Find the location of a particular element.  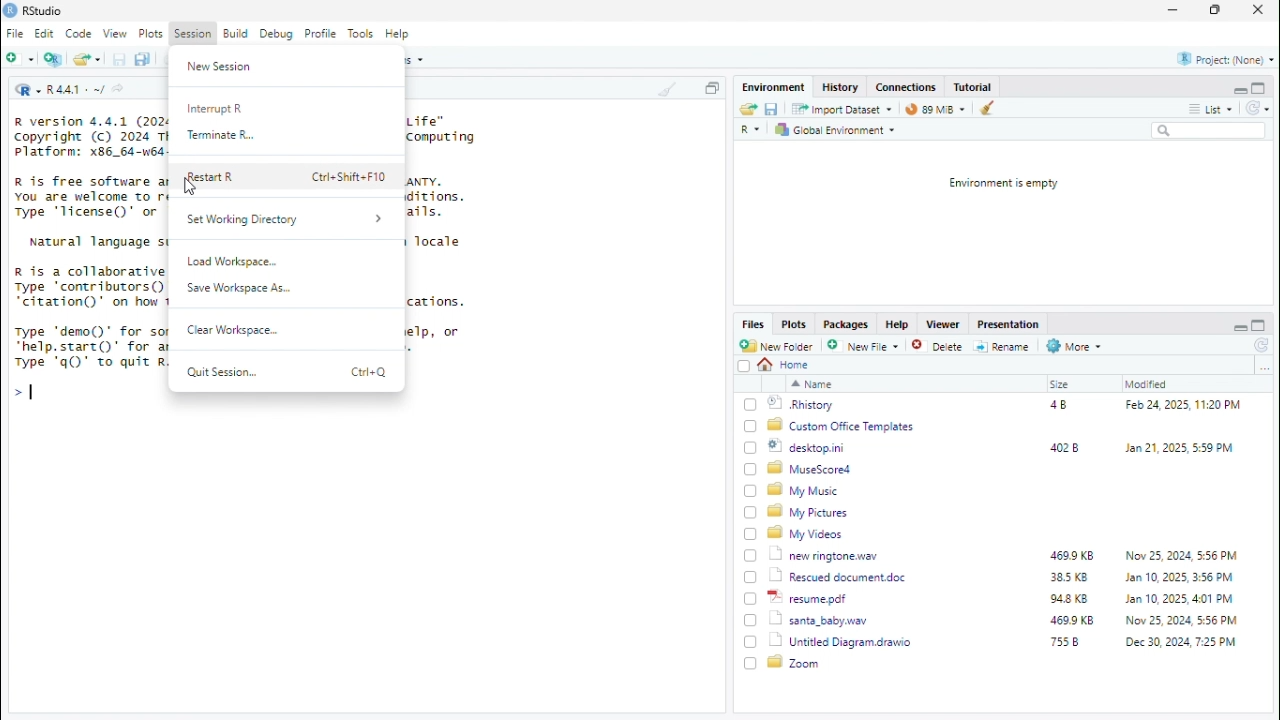

Checkbox is located at coordinates (751, 642).